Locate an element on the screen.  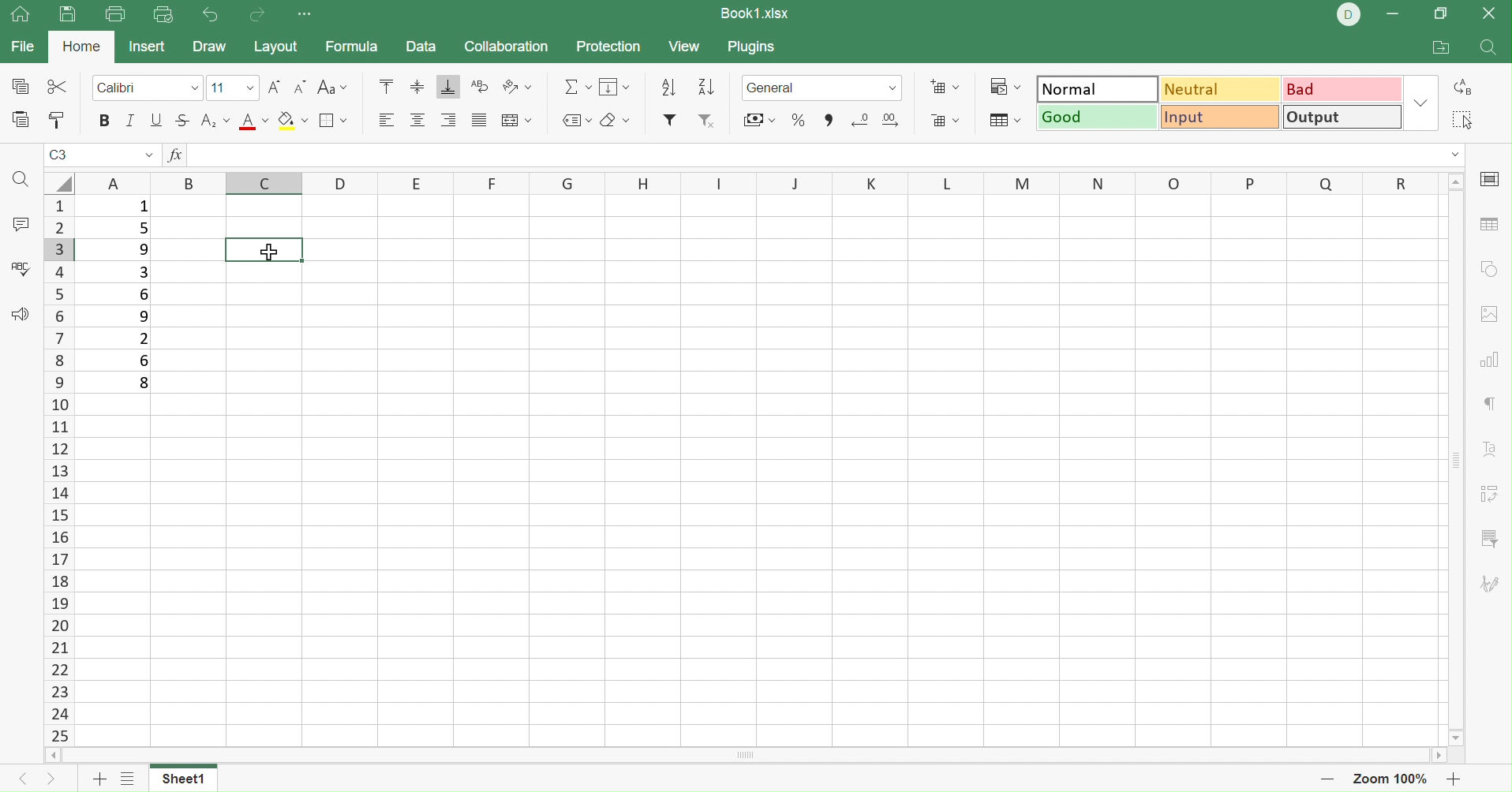
View is located at coordinates (683, 47).